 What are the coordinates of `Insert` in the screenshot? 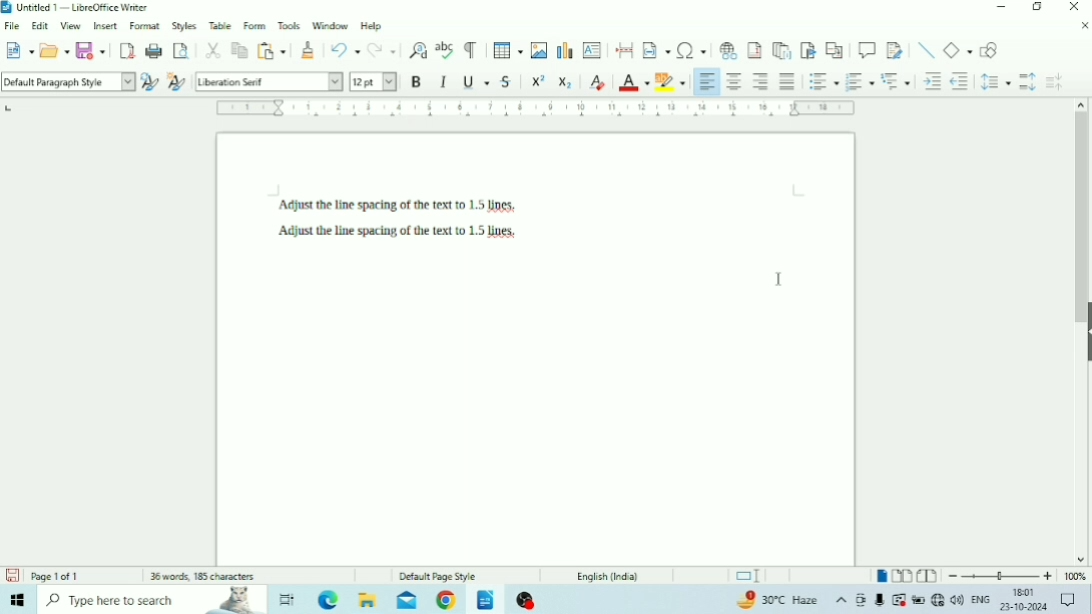 It's located at (105, 24).